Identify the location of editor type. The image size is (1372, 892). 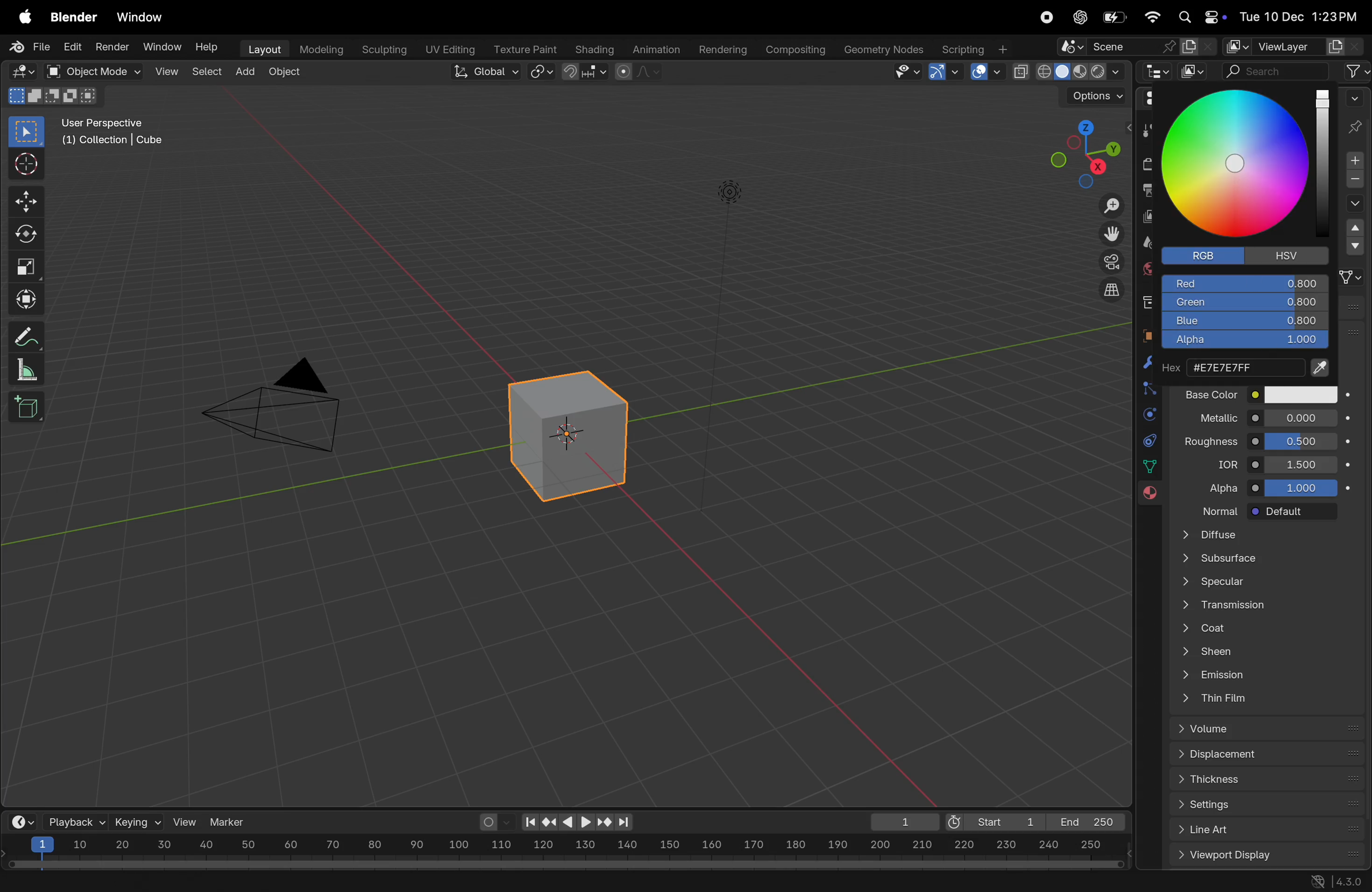
(1159, 73).